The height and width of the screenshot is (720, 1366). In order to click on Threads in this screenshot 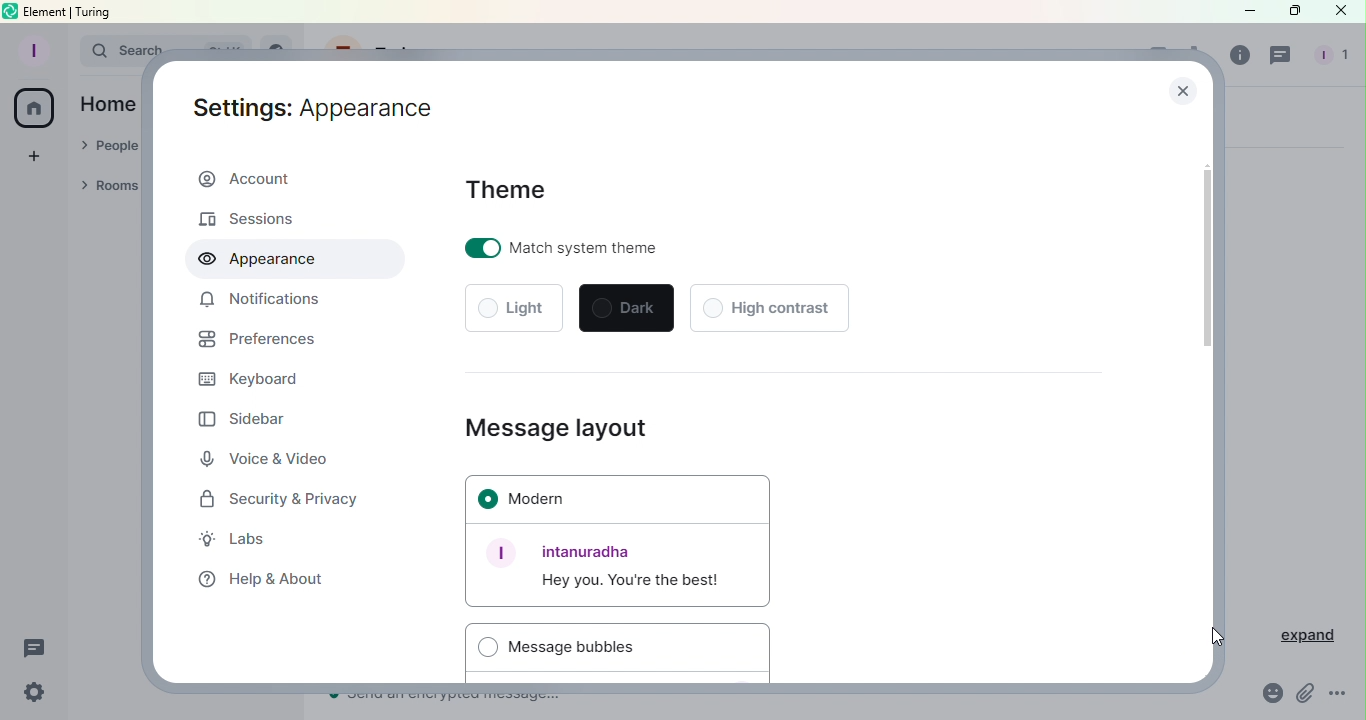, I will do `click(1283, 56)`.